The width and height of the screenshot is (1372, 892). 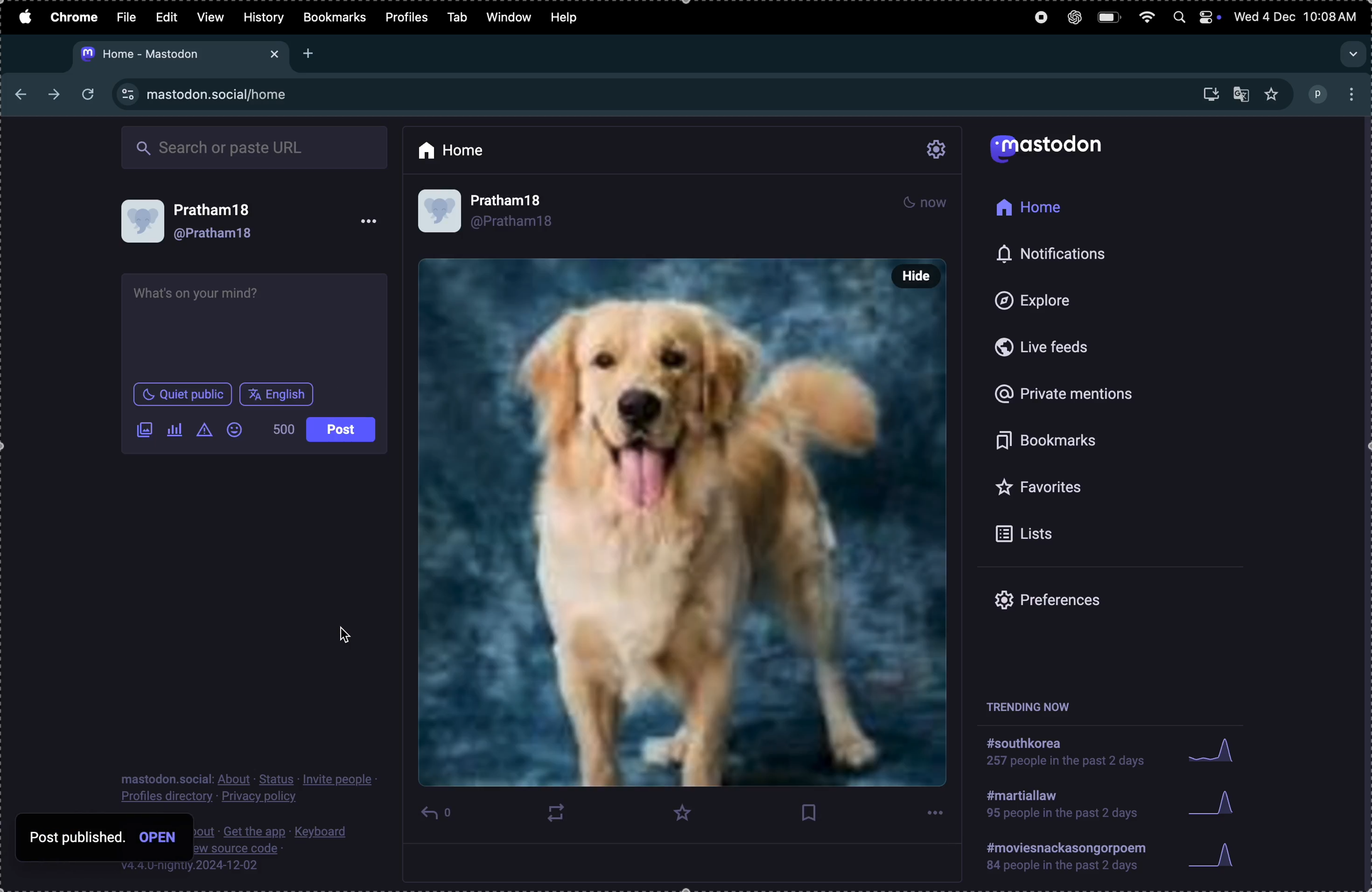 What do you see at coordinates (1213, 750) in the screenshot?
I see `Graph` at bounding box center [1213, 750].